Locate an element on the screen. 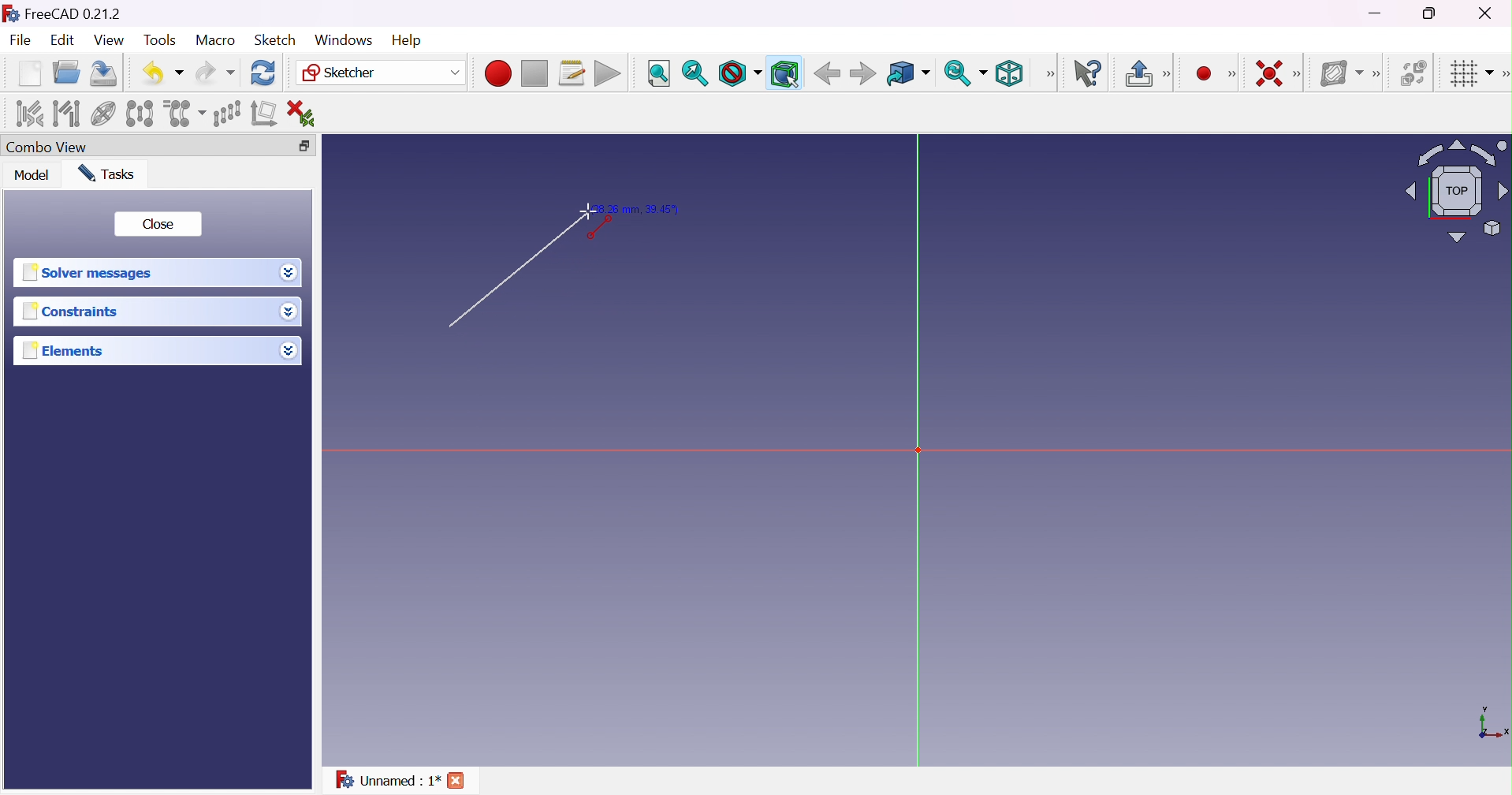  Sketcher B-spline tools is located at coordinates (1381, 76).